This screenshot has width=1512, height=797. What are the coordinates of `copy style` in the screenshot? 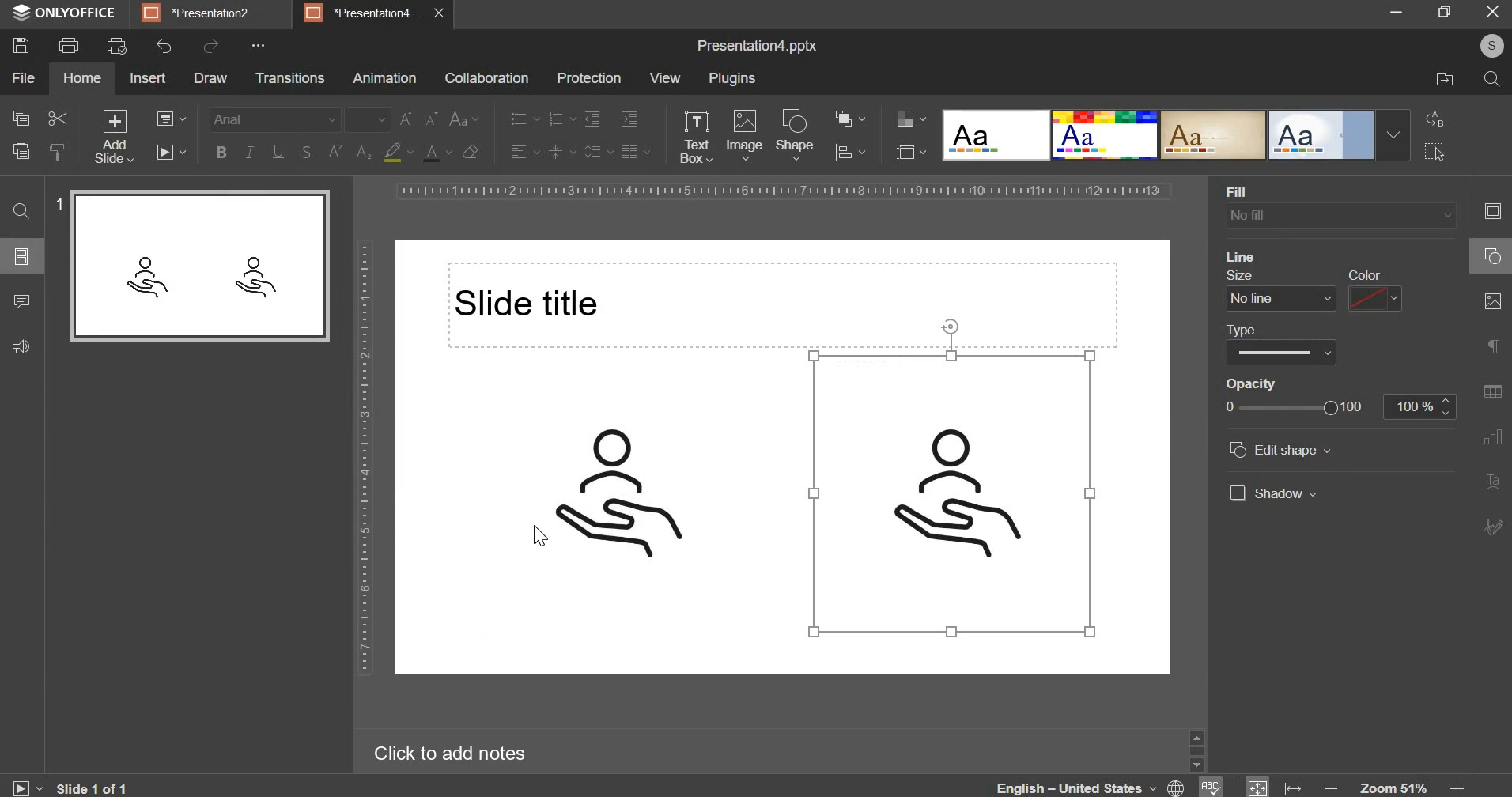 It's located at (57, 149).